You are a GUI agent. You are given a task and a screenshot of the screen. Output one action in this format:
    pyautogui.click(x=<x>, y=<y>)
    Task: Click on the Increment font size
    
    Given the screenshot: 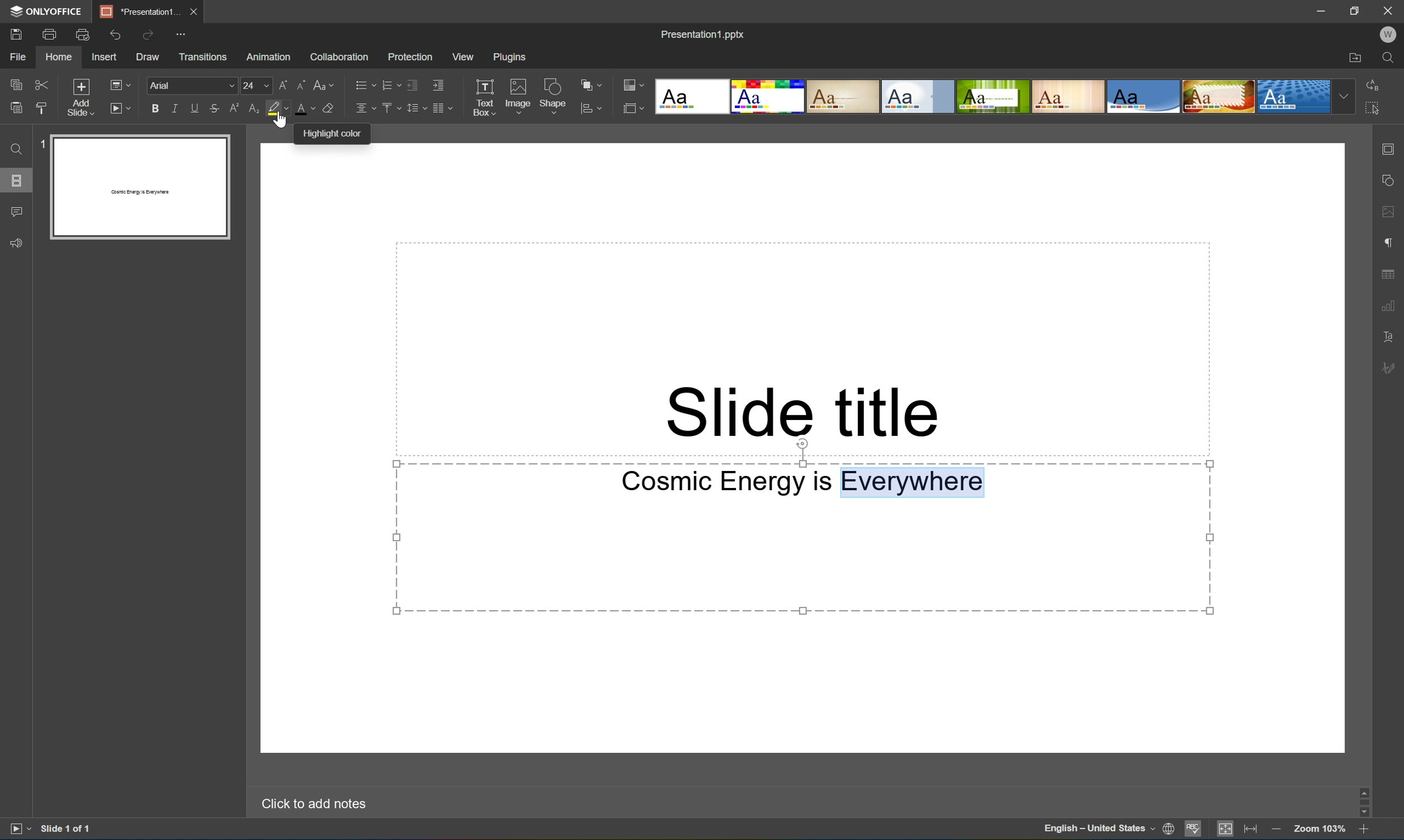 What is the action you would take?
    pyautogui.click(x=282, y=81)
    